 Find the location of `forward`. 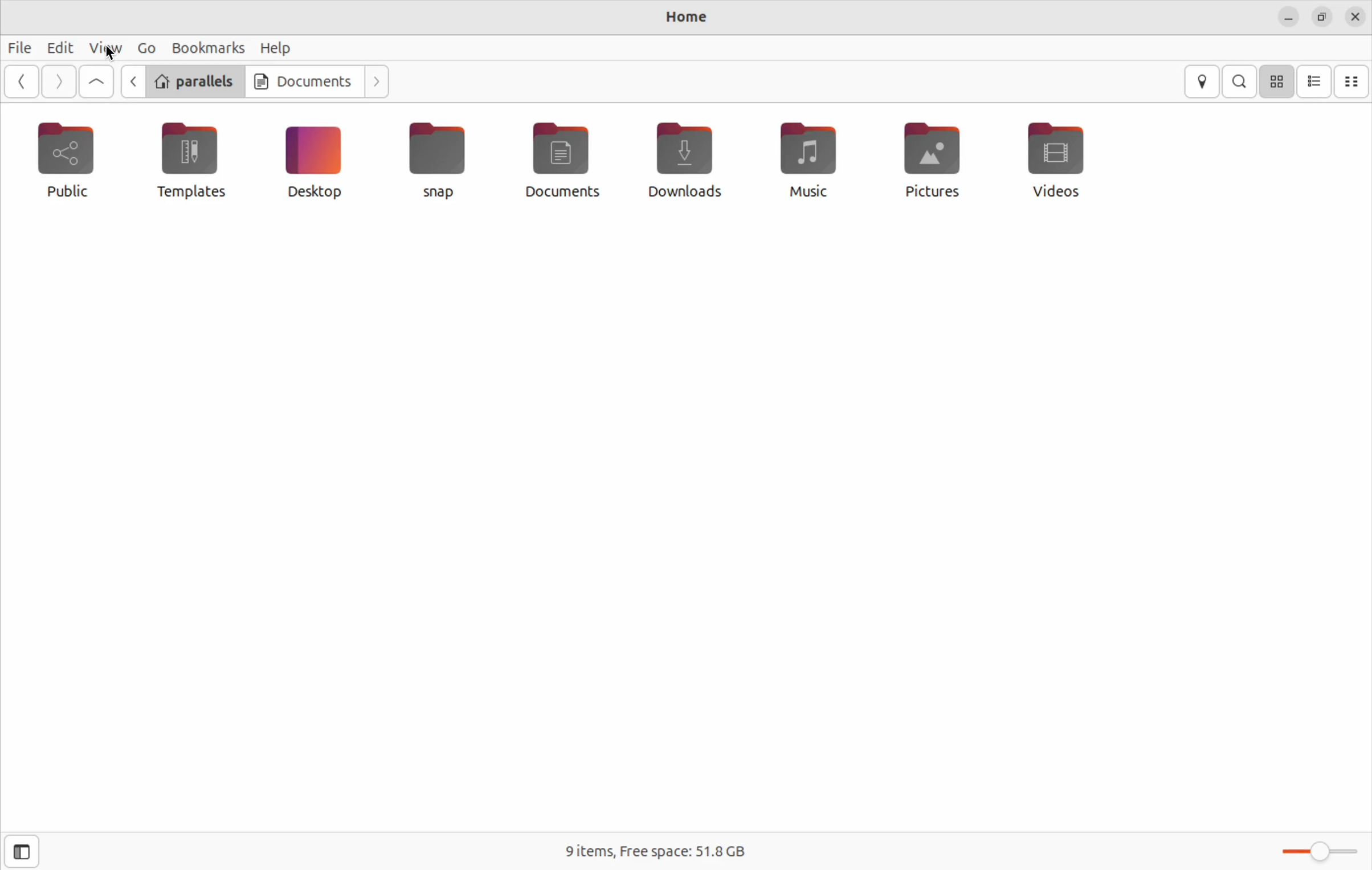

forward is located at coordinates (58, 82).